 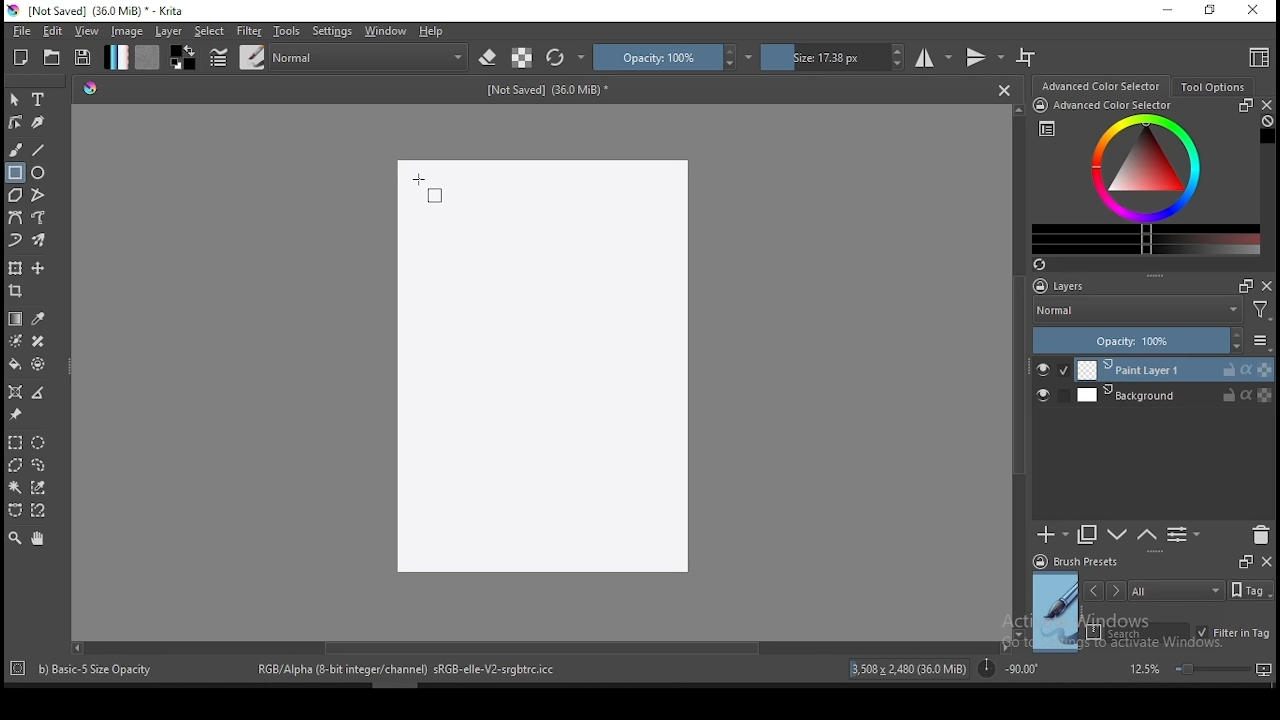 What do you see at coordinates (1245, 561) in the screenshot?
I see `Frames` at bounding box center [1245, 561].